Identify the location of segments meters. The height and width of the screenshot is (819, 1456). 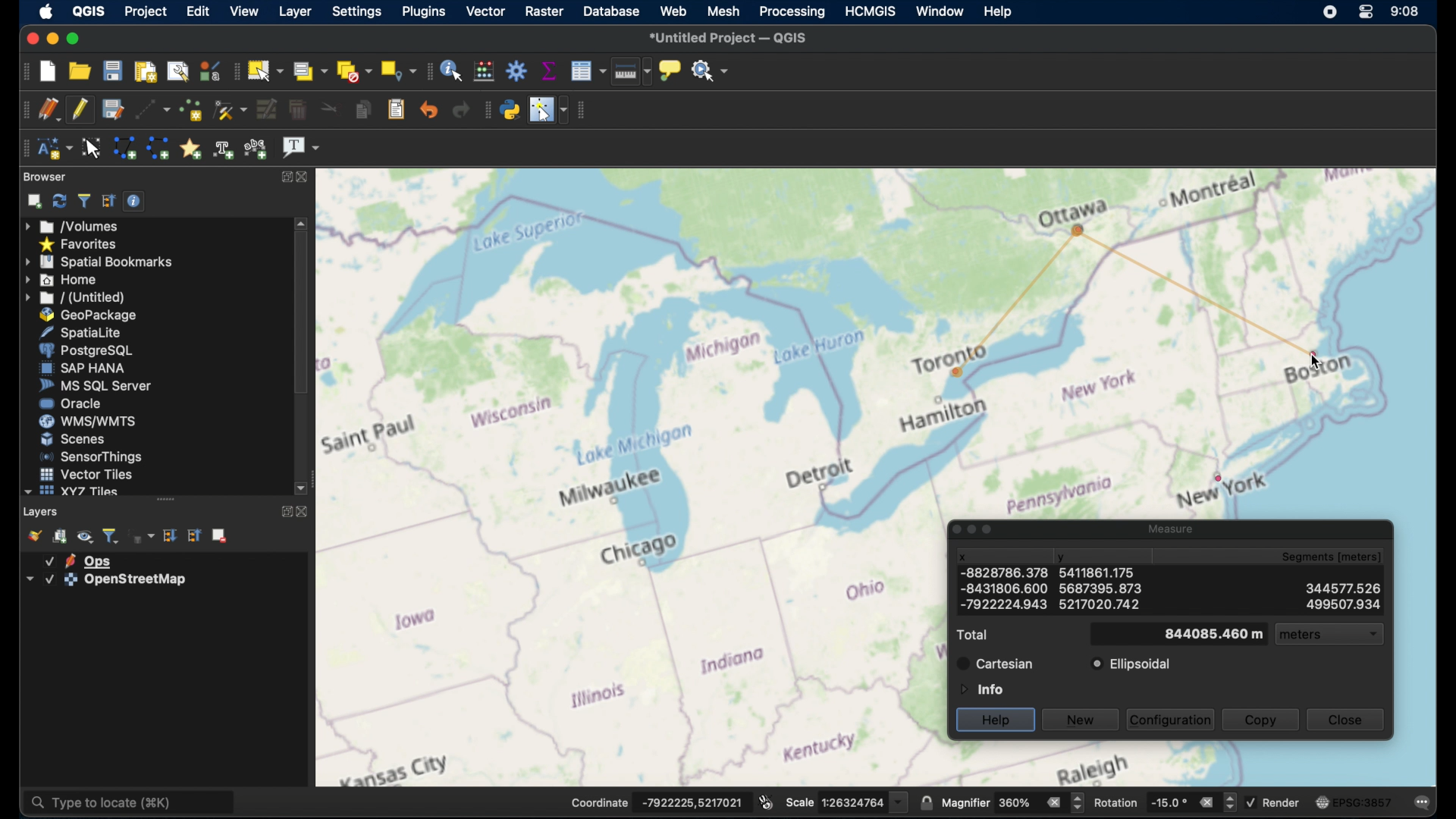
(1330, 558).